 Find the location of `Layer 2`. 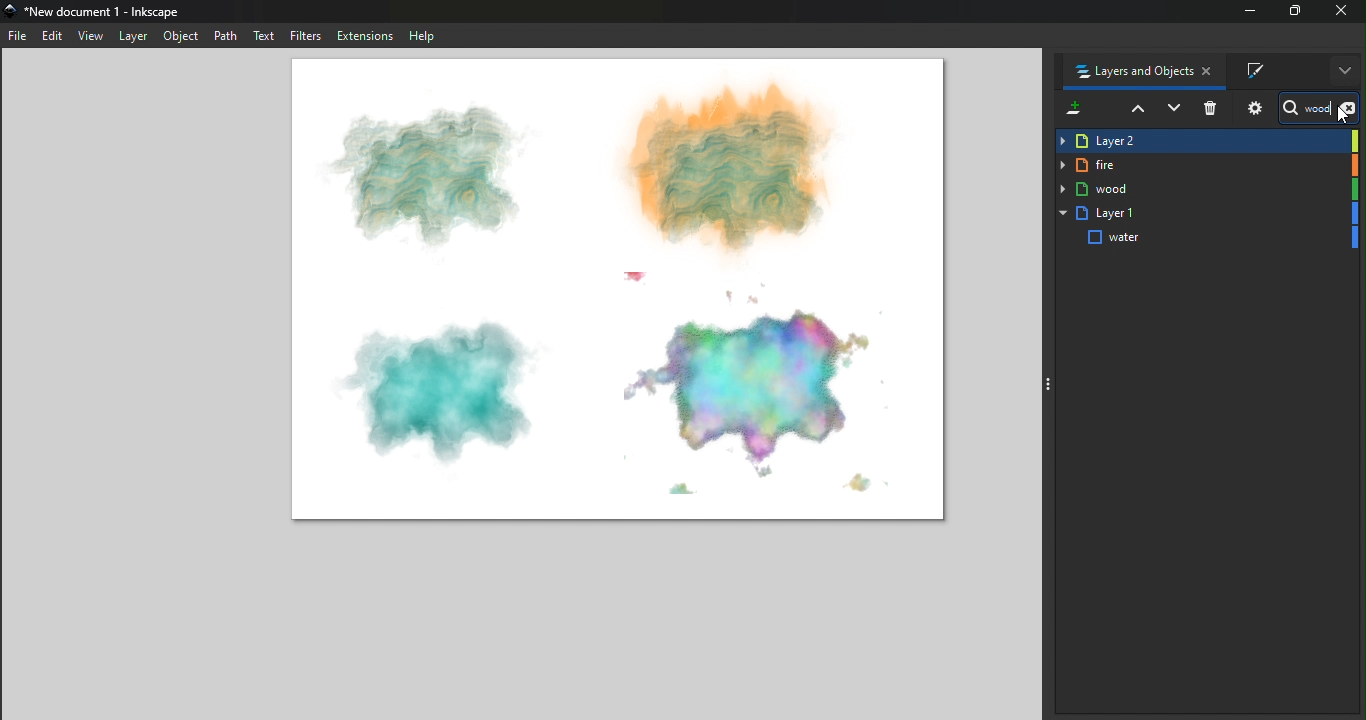

Layer 2 is located at coordinates (1206, 142).